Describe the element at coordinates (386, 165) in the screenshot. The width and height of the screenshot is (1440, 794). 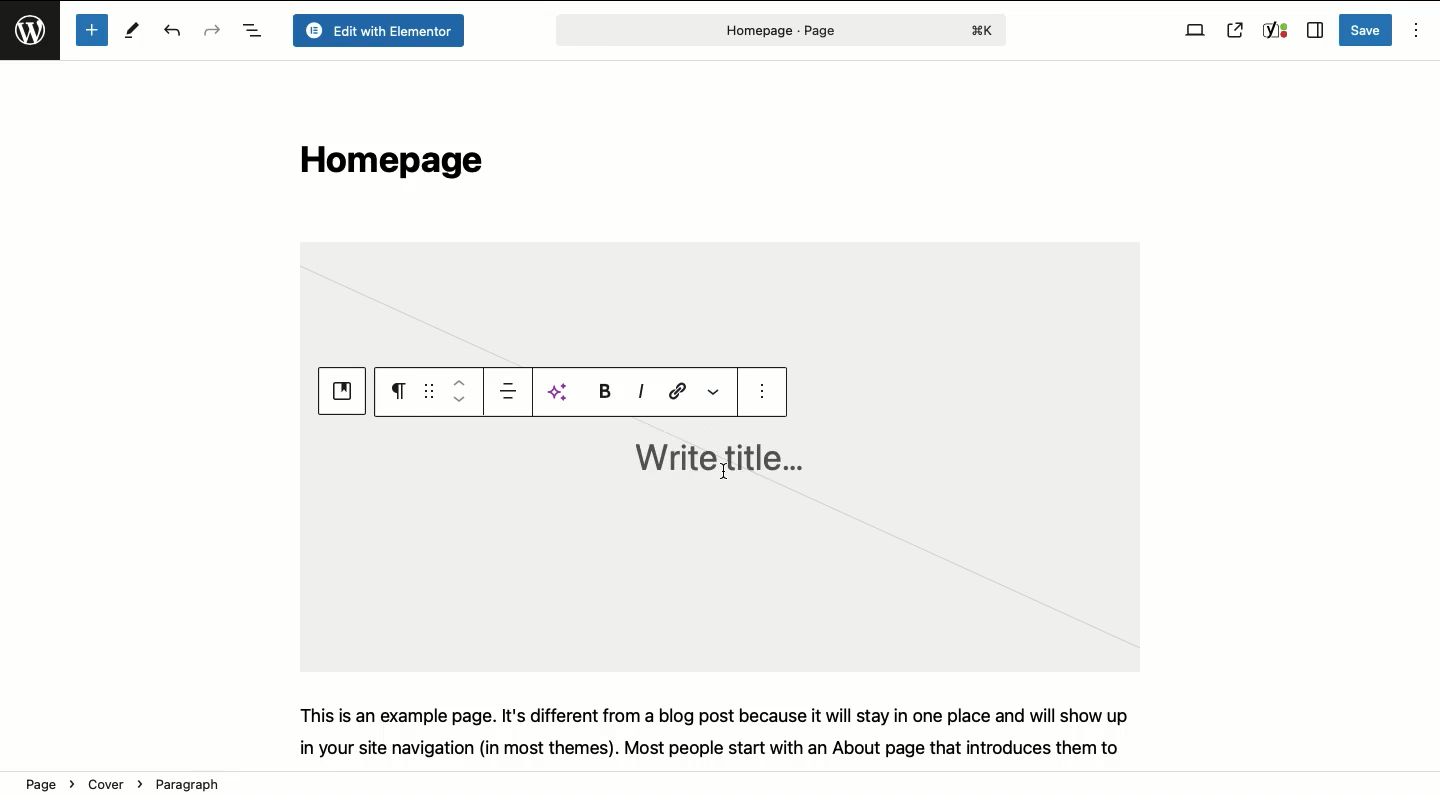
I see `Homepage` at that location.